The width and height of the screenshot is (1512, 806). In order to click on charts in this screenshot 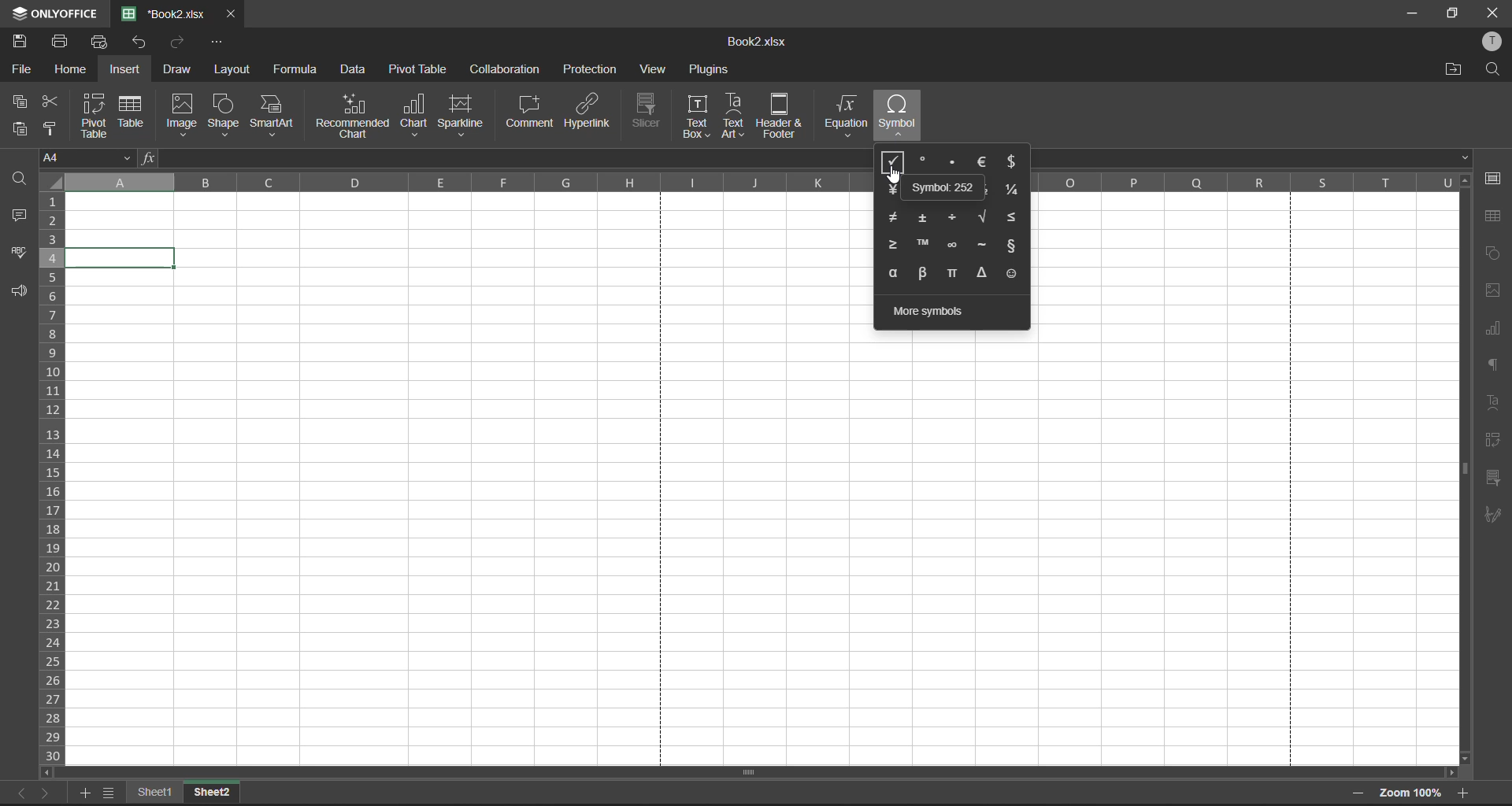, I will do `click(1495, 330)`.